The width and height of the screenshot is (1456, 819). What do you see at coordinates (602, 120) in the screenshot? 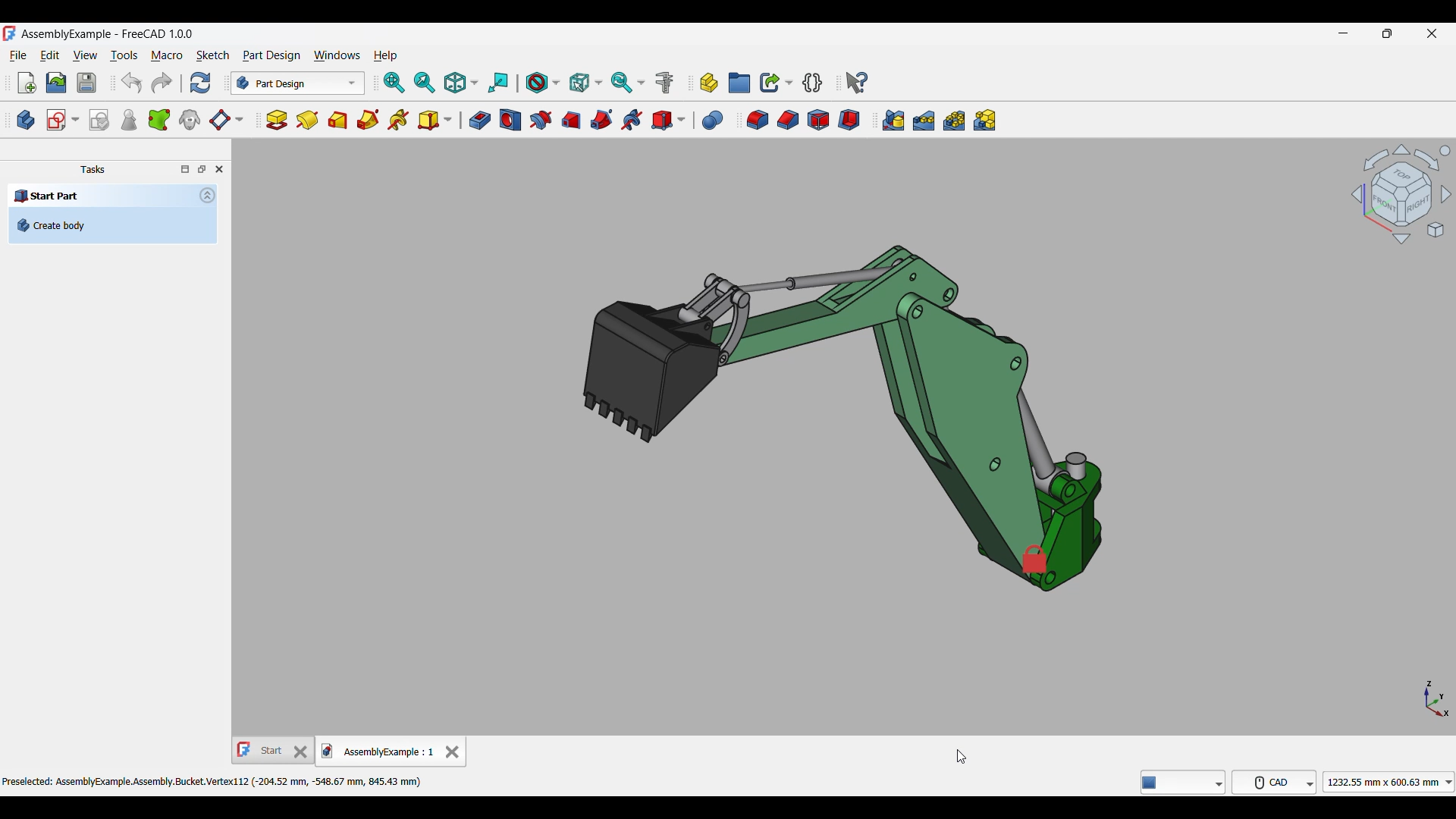
I see `Subtractive pipe` at bounding box center [602, 120].